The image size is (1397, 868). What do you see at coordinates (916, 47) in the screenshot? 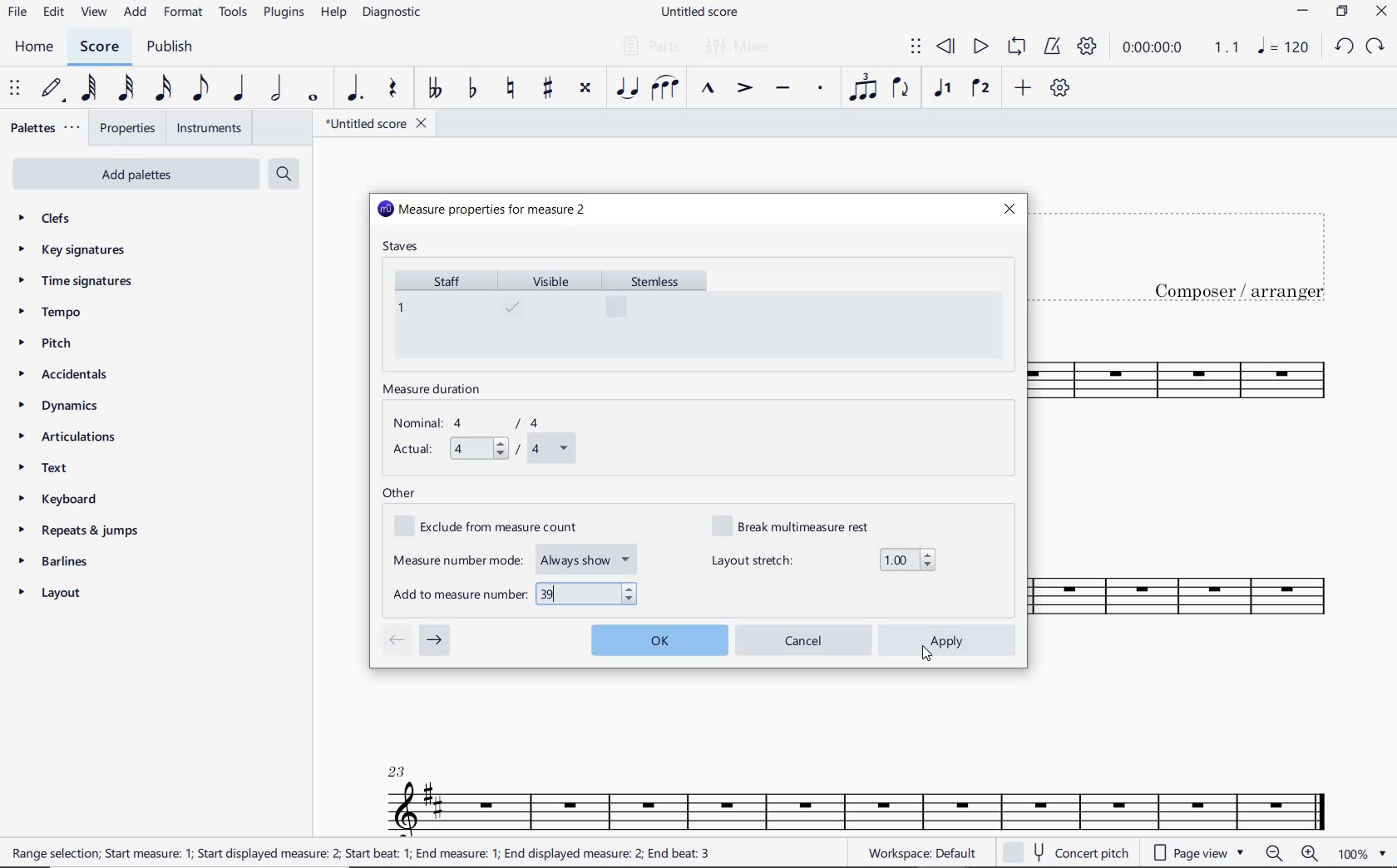
I see `SELECT TO MOVE` at bounding box center [916, 47].